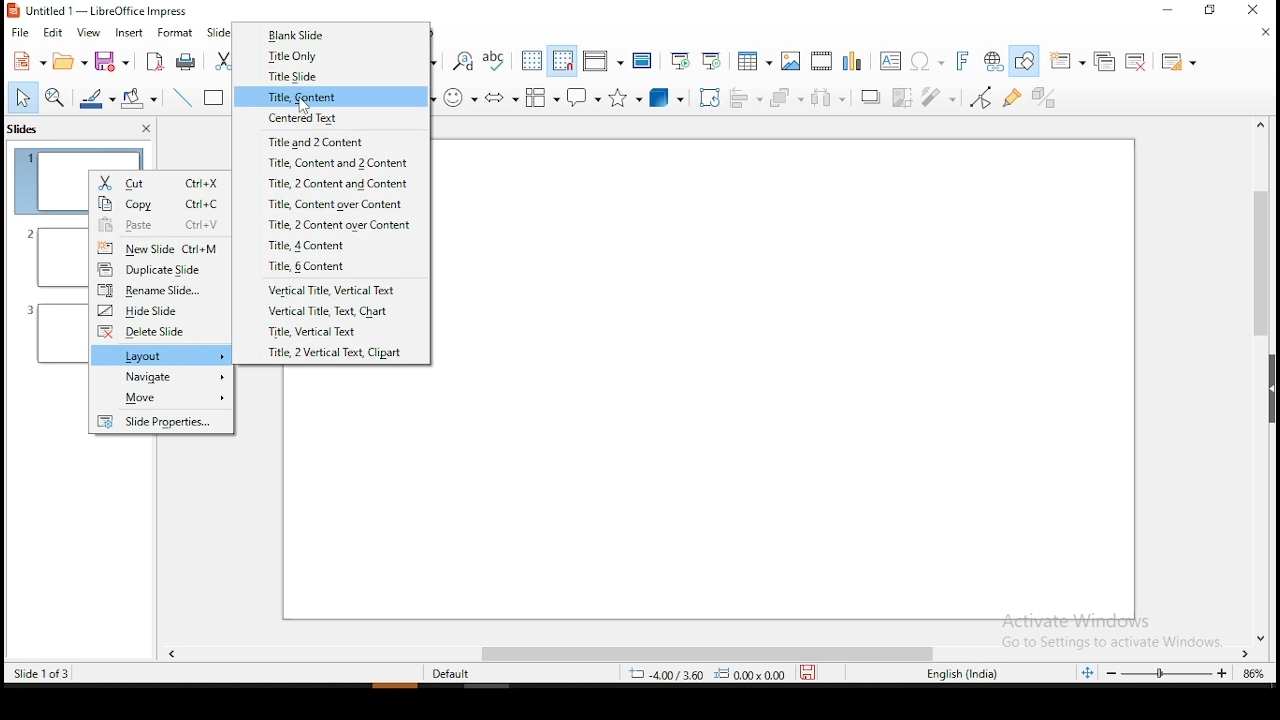 Image resolution: width=1280 pixels, height=720 pixels. I want to click on display grid, so click(532, 62).